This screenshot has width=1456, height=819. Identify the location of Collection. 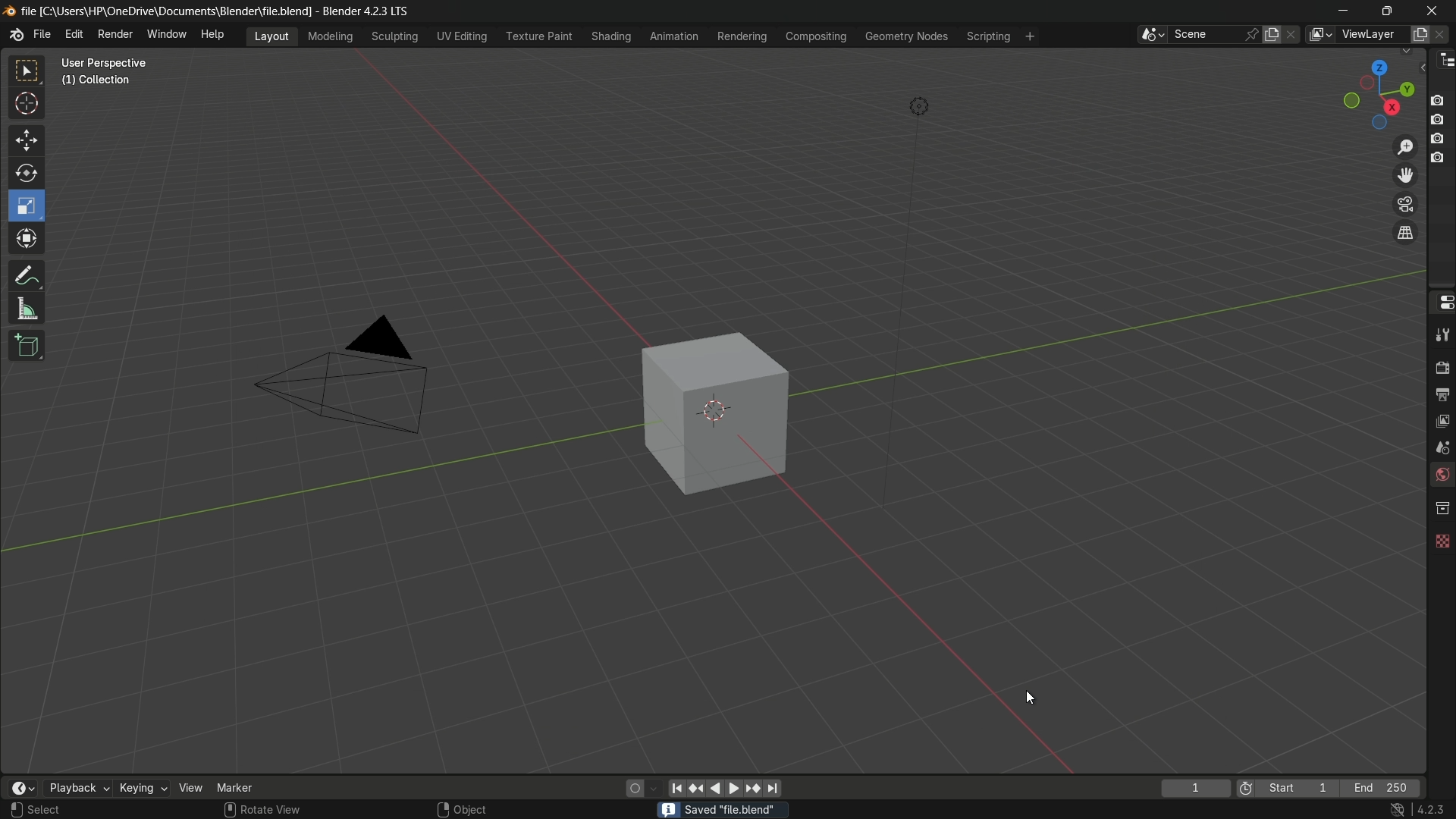
(99, 83).